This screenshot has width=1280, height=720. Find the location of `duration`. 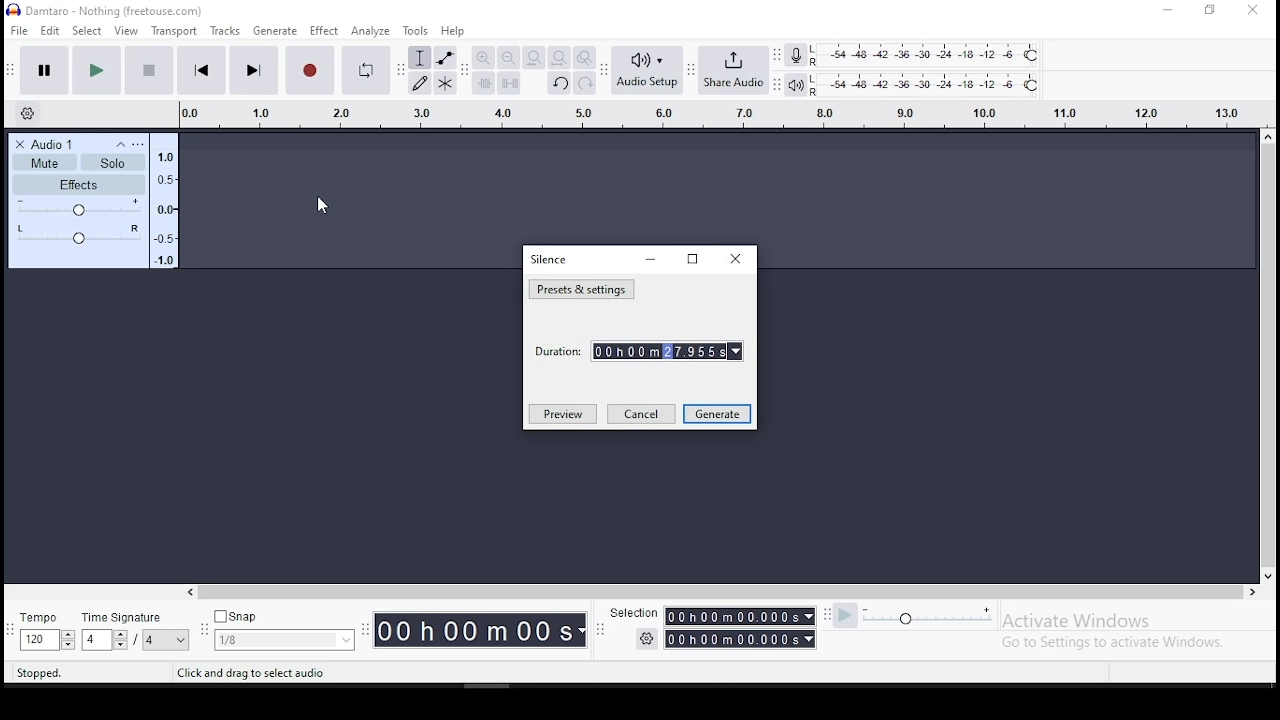

duration is located at coordinates (639, 349).